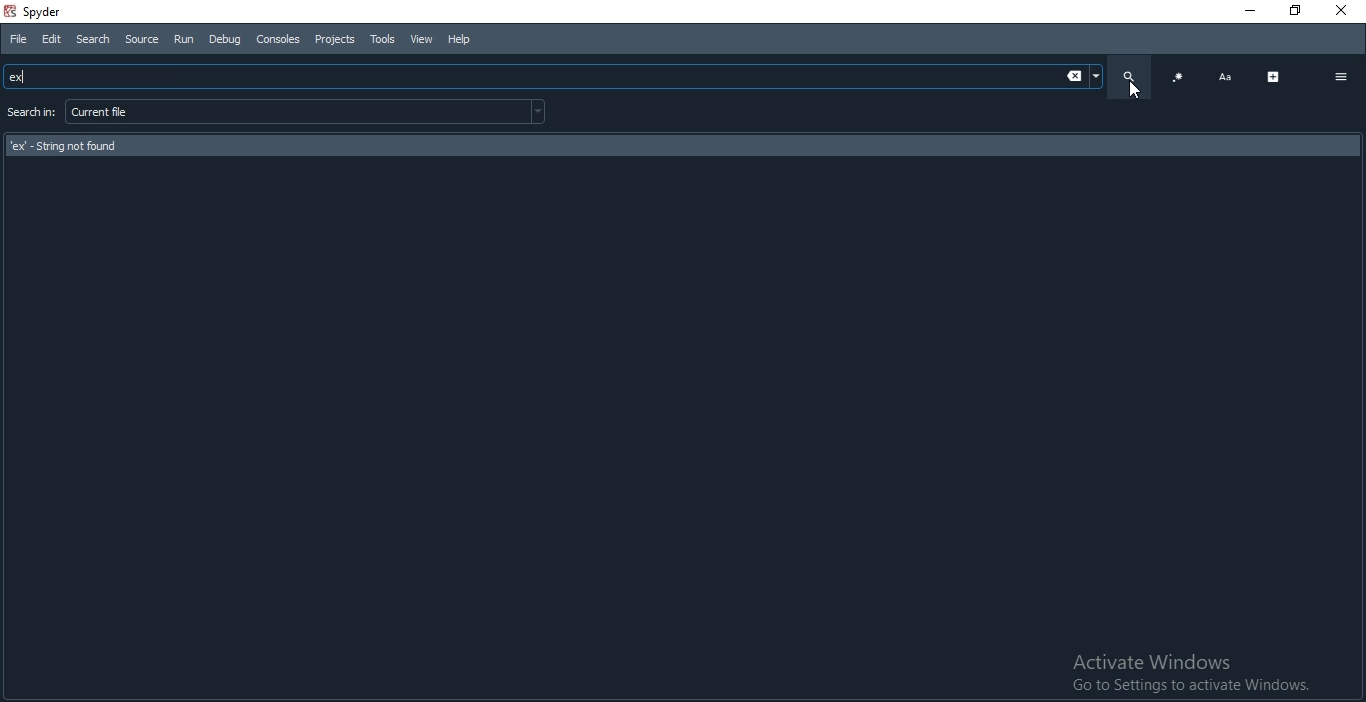 Image resolution: width=1366 pixels, height=702 pixels. What do you see at coordinates (1186, 675) in the screenshot?
I see `Activate Windows
Go to Settings to activate Windows.` at bounding box center [1186, 675].